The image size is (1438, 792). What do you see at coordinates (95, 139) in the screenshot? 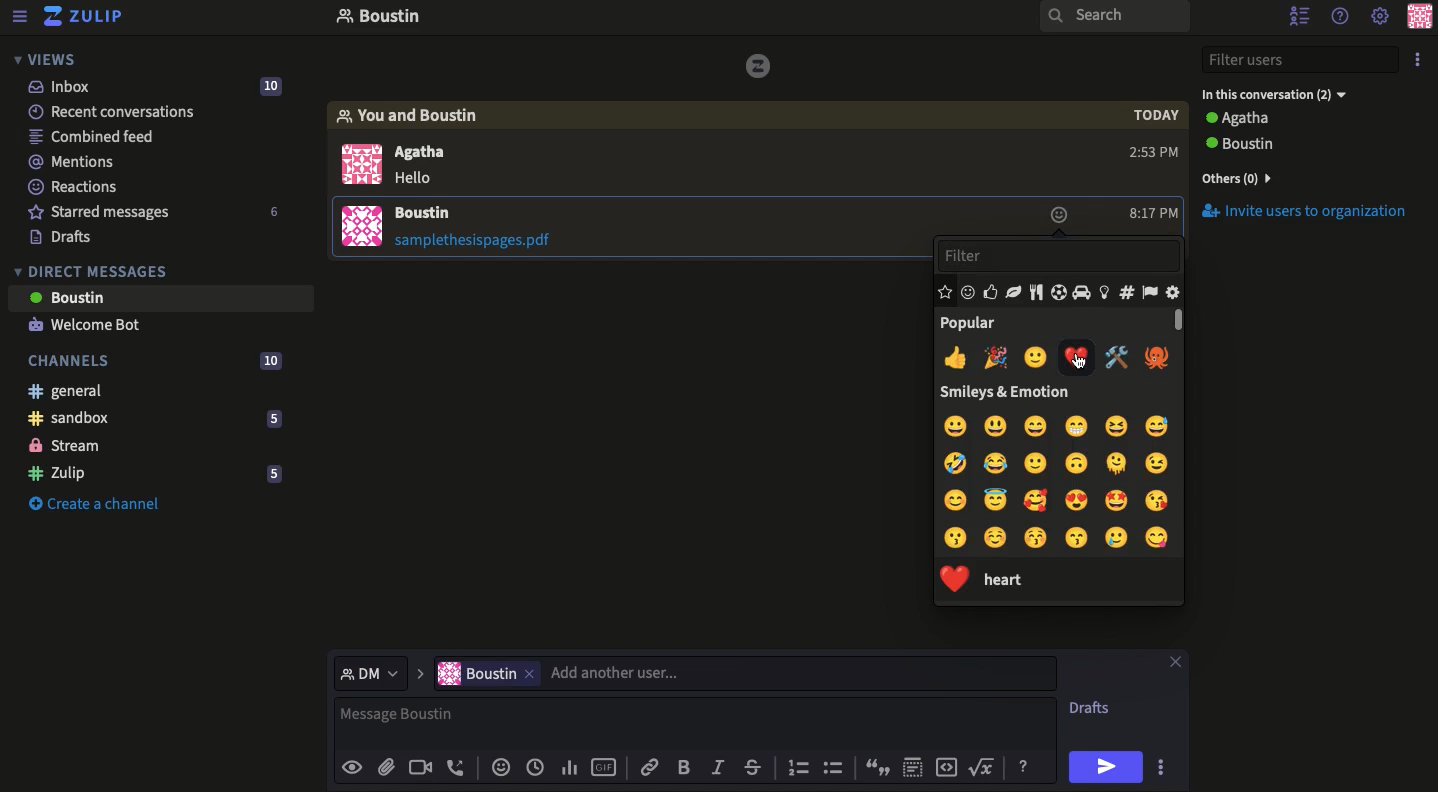
I see `Combined feed` at bounding box center [95, 139].